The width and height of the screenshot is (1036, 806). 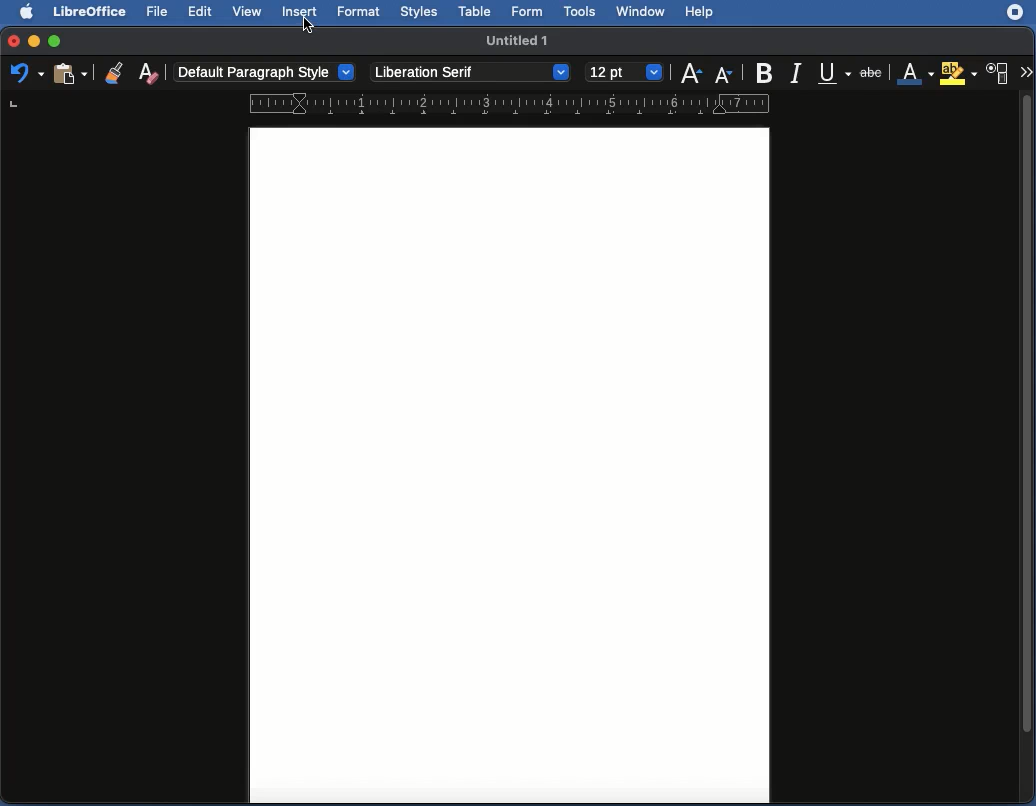 What do you see at coordinates (423, 12) in the screenshot?
I see `Styles` at bounding box center [423, 12].